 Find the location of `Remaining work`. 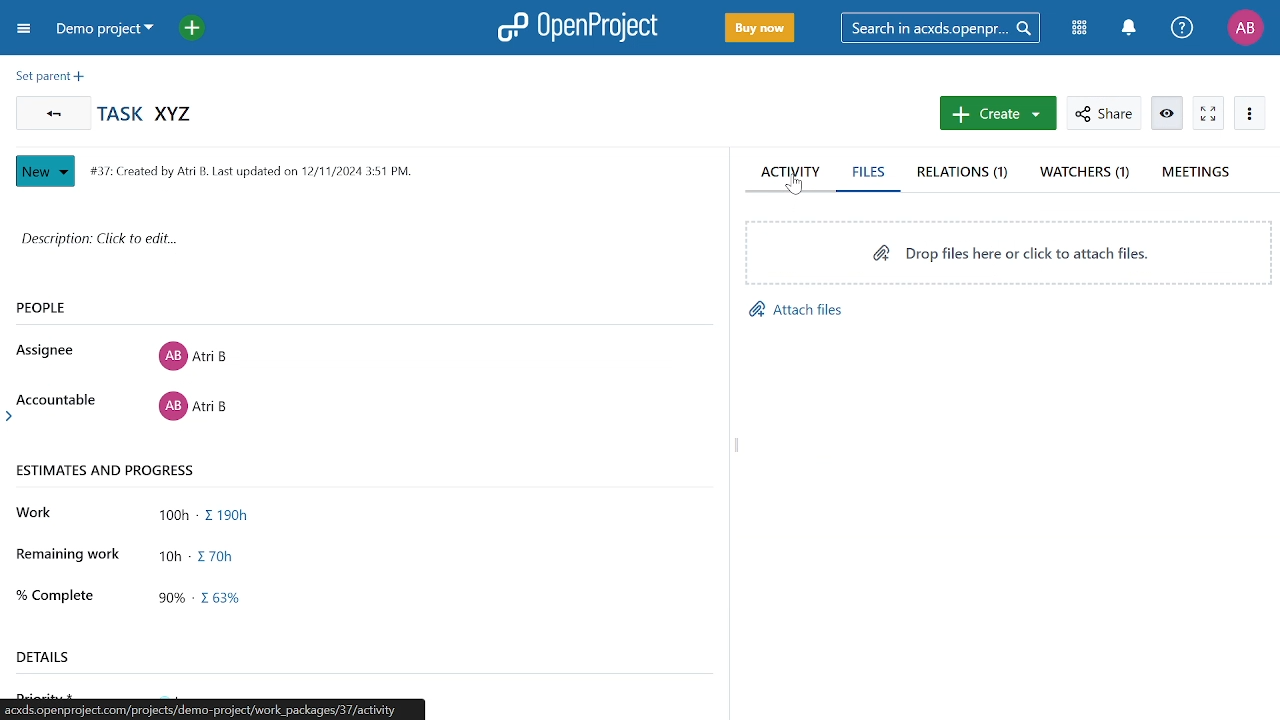

Remaining work is located at coordinates (71, 555).